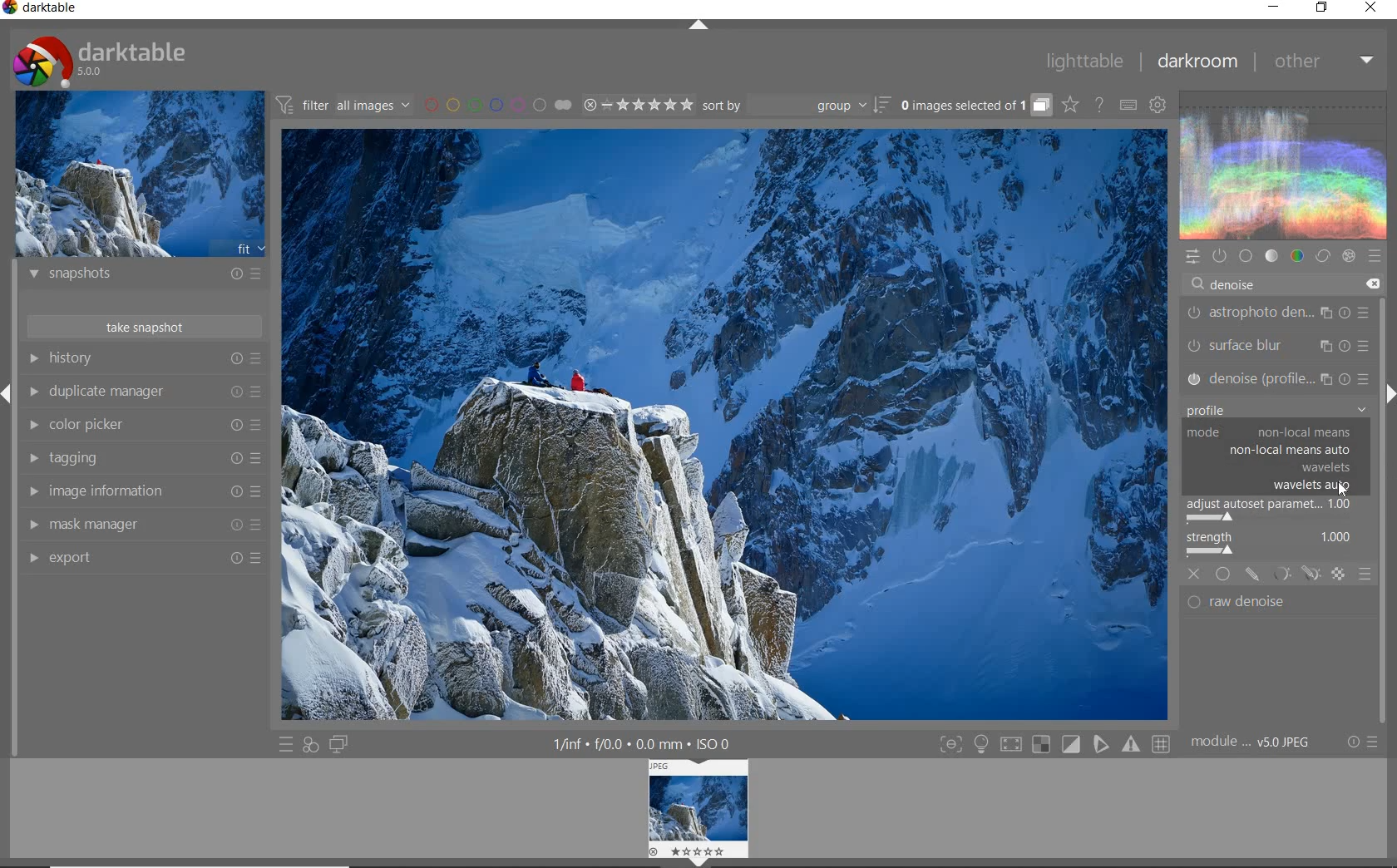  I want to click on 1/inf*f/0.0 mm*ISO 0, so click(648, 743).